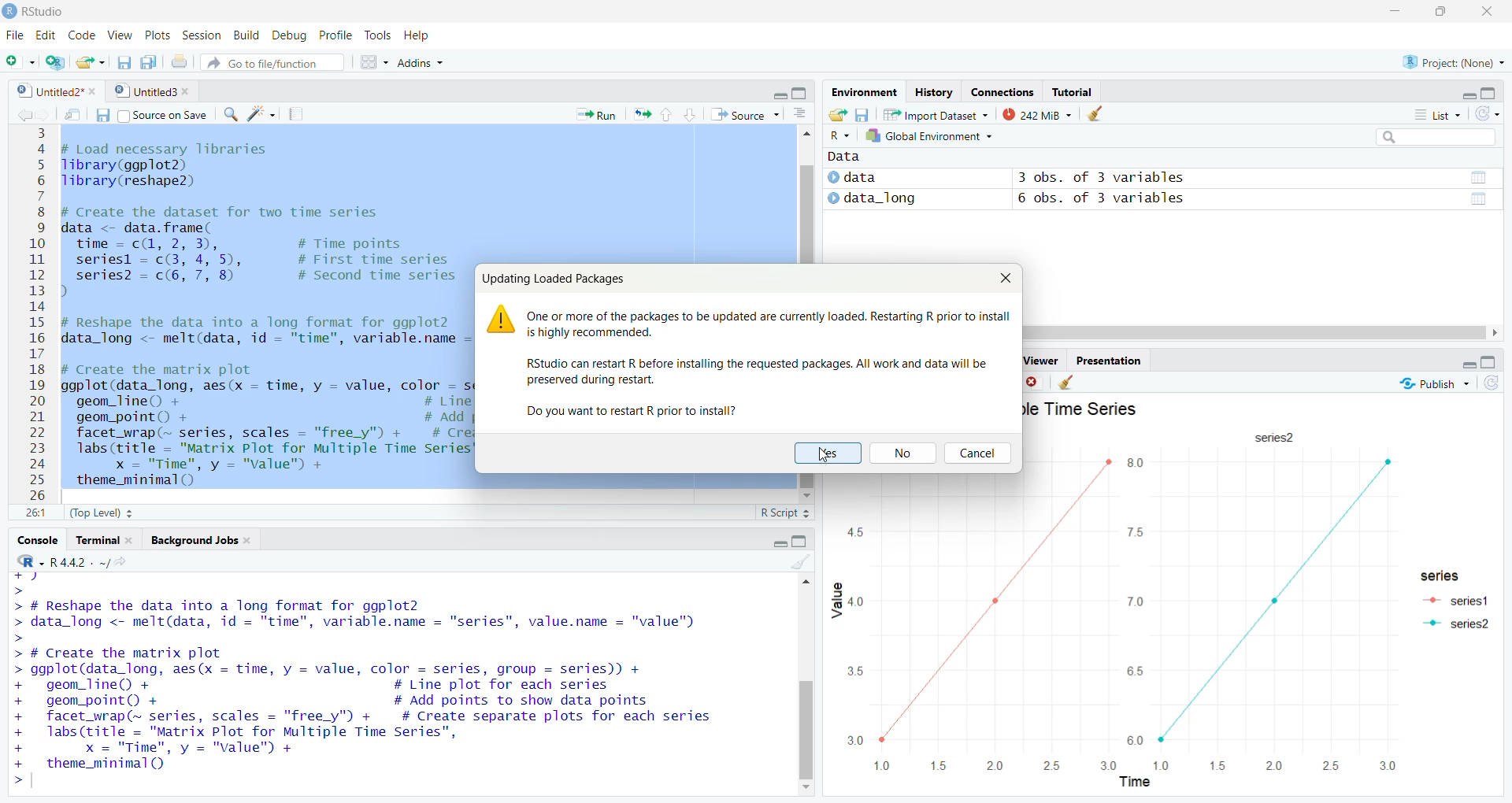 The image size is (1512, 803). I want to click on down, so click(688, 114).